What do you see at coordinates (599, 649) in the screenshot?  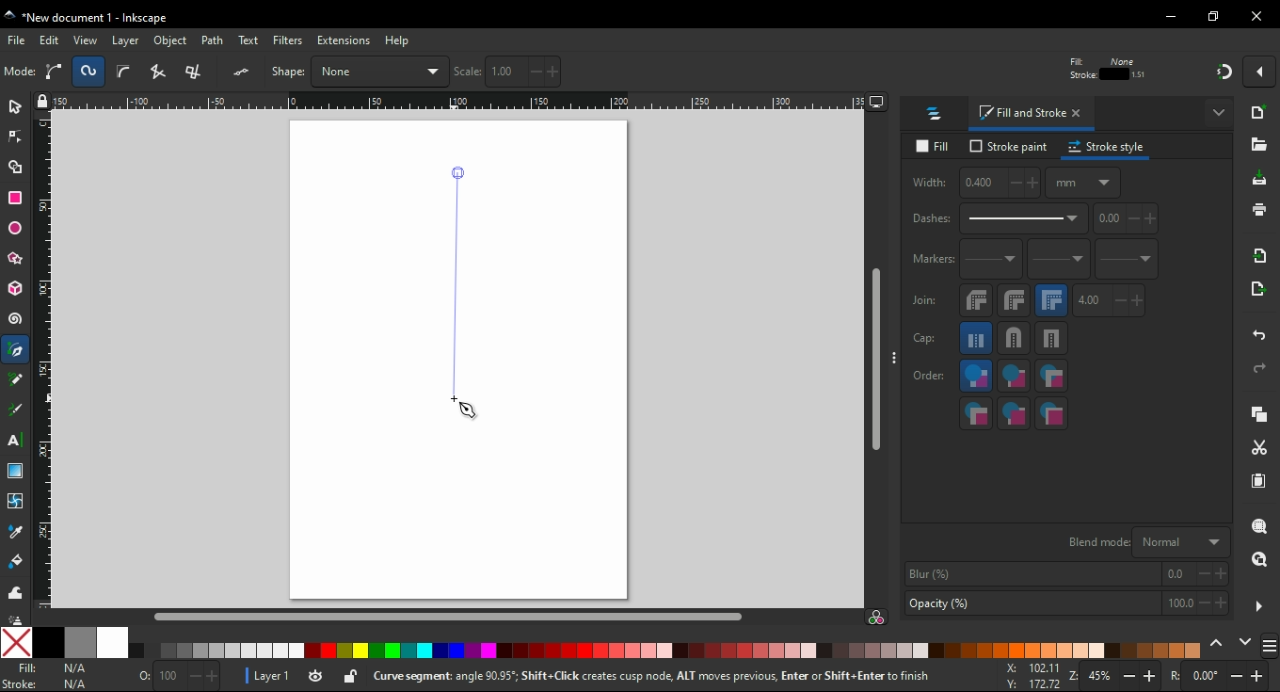 I see `color tone pallete` at bounding box center [599, 649].